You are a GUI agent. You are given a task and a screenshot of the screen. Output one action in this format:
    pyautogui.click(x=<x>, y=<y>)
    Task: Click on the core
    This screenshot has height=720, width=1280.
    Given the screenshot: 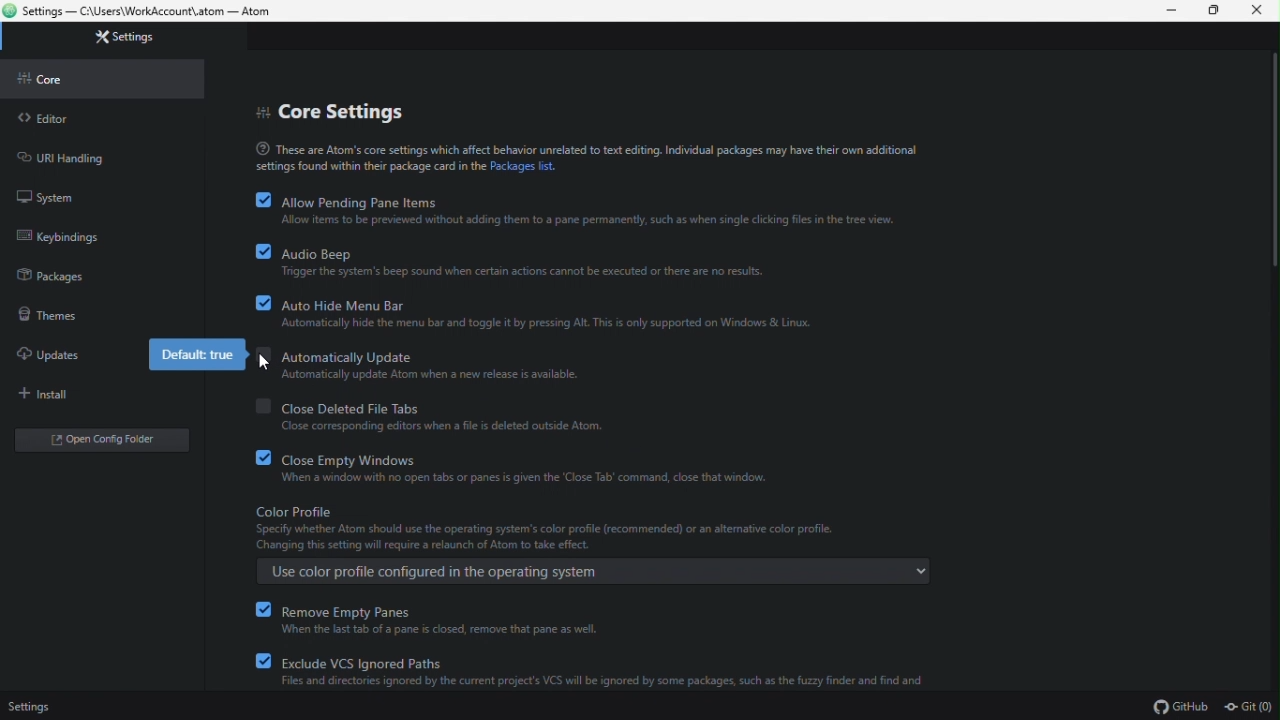 What is the action you would take?
    pyautogui.click(x=46, y=77)
    